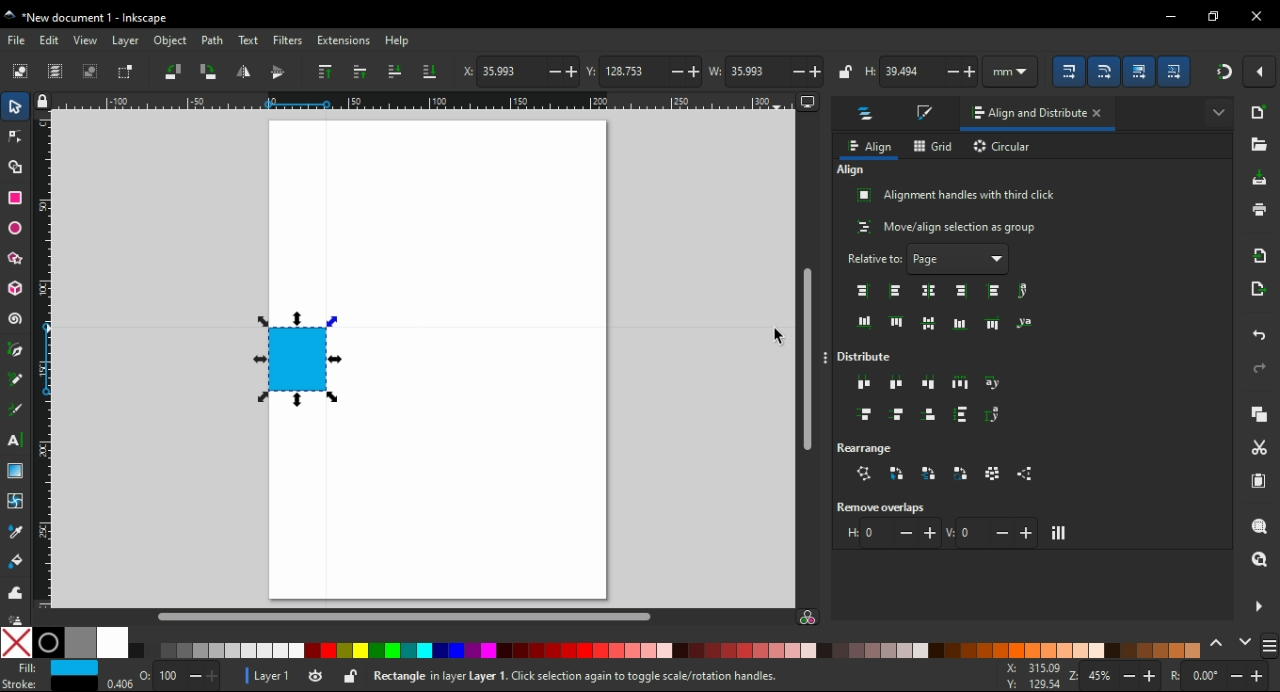 This screenshot has width=1280, height=692. Describe the element at coordinates (1004, 147) in the screenshot. I see `circular` at that location.